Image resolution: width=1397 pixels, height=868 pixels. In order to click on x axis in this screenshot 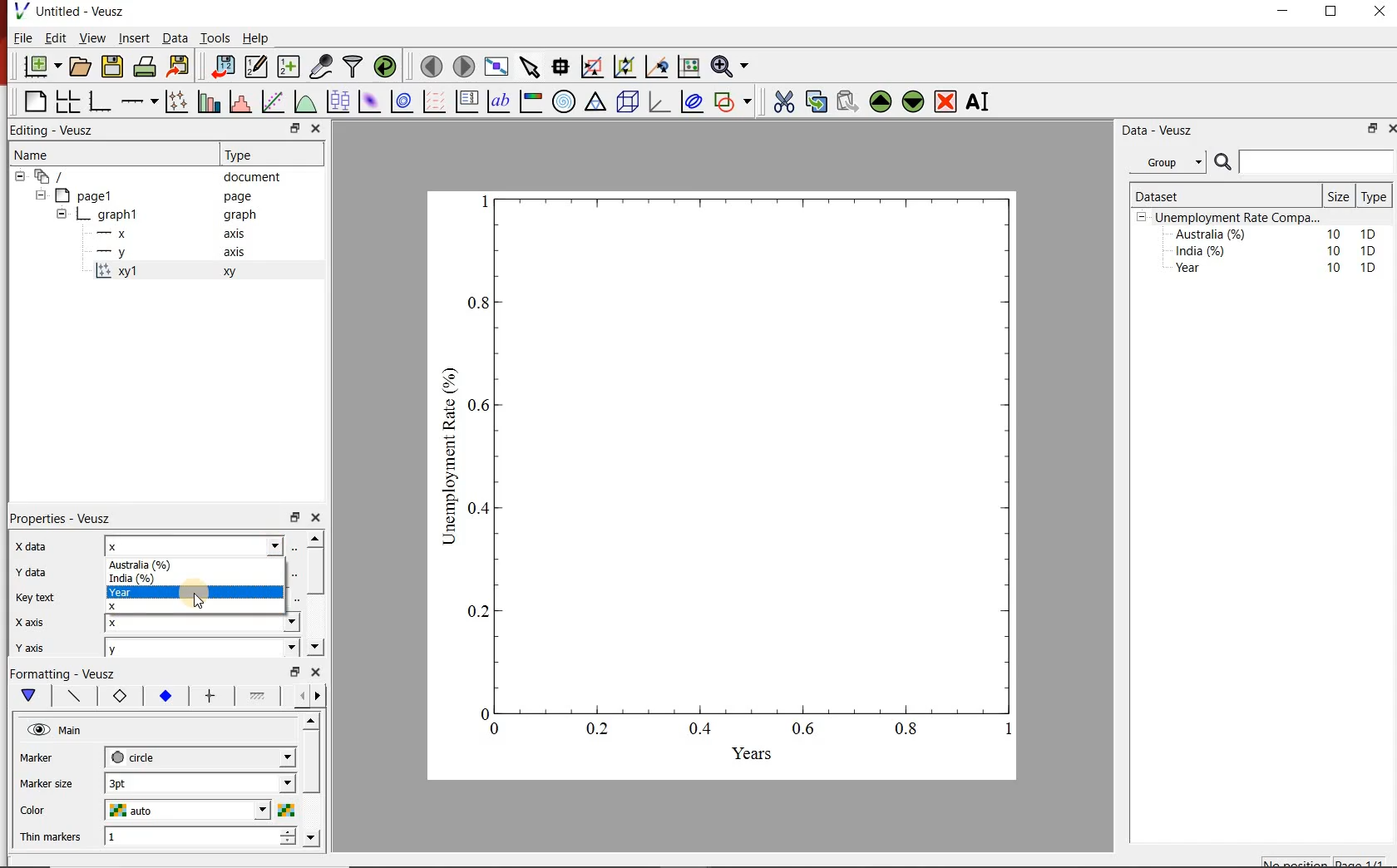, I will do `click(178, 233)`.